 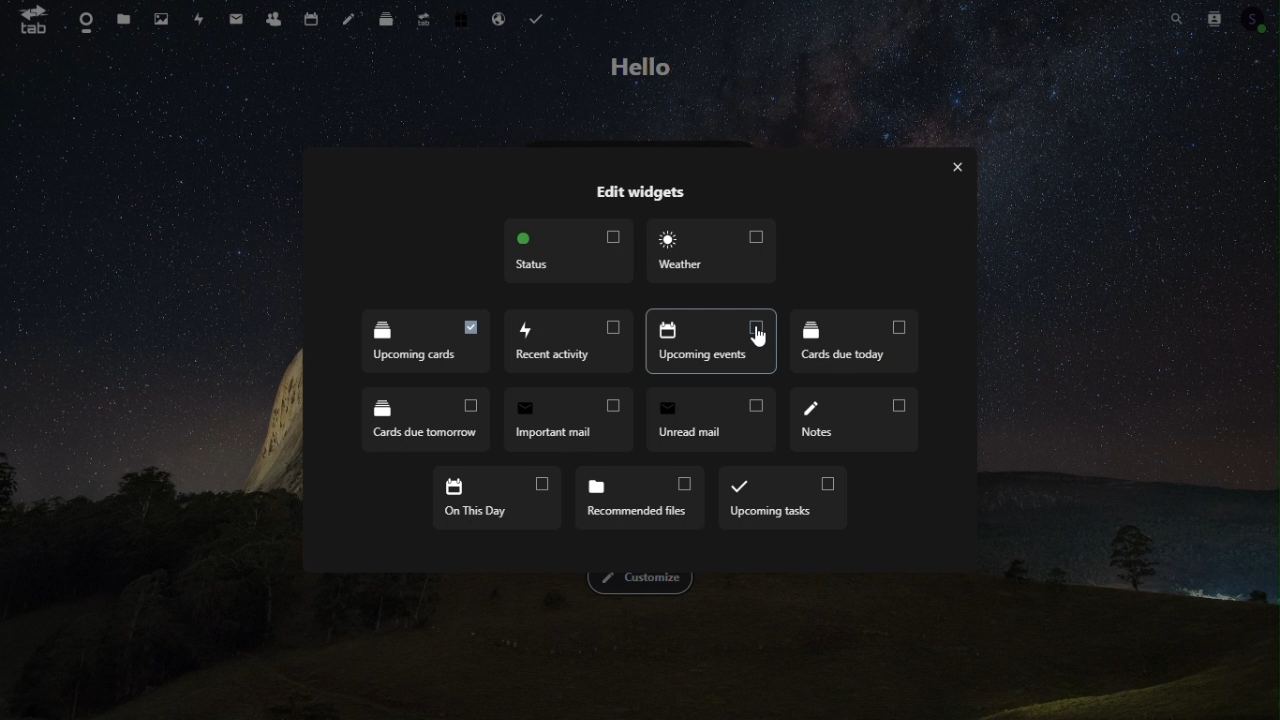 I want to click on Cursor, so click(x=759, y=340).